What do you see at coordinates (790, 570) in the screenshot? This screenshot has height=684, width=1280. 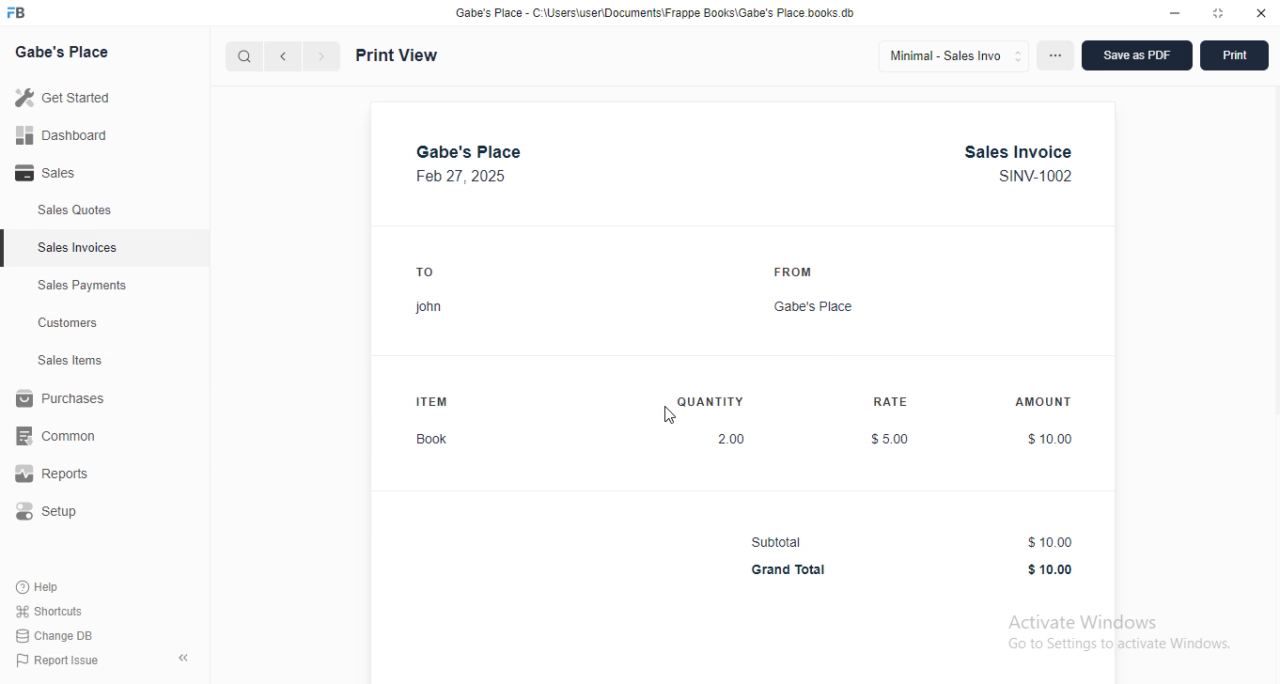 I see `Grand Total` at bounding box center [790, 570].